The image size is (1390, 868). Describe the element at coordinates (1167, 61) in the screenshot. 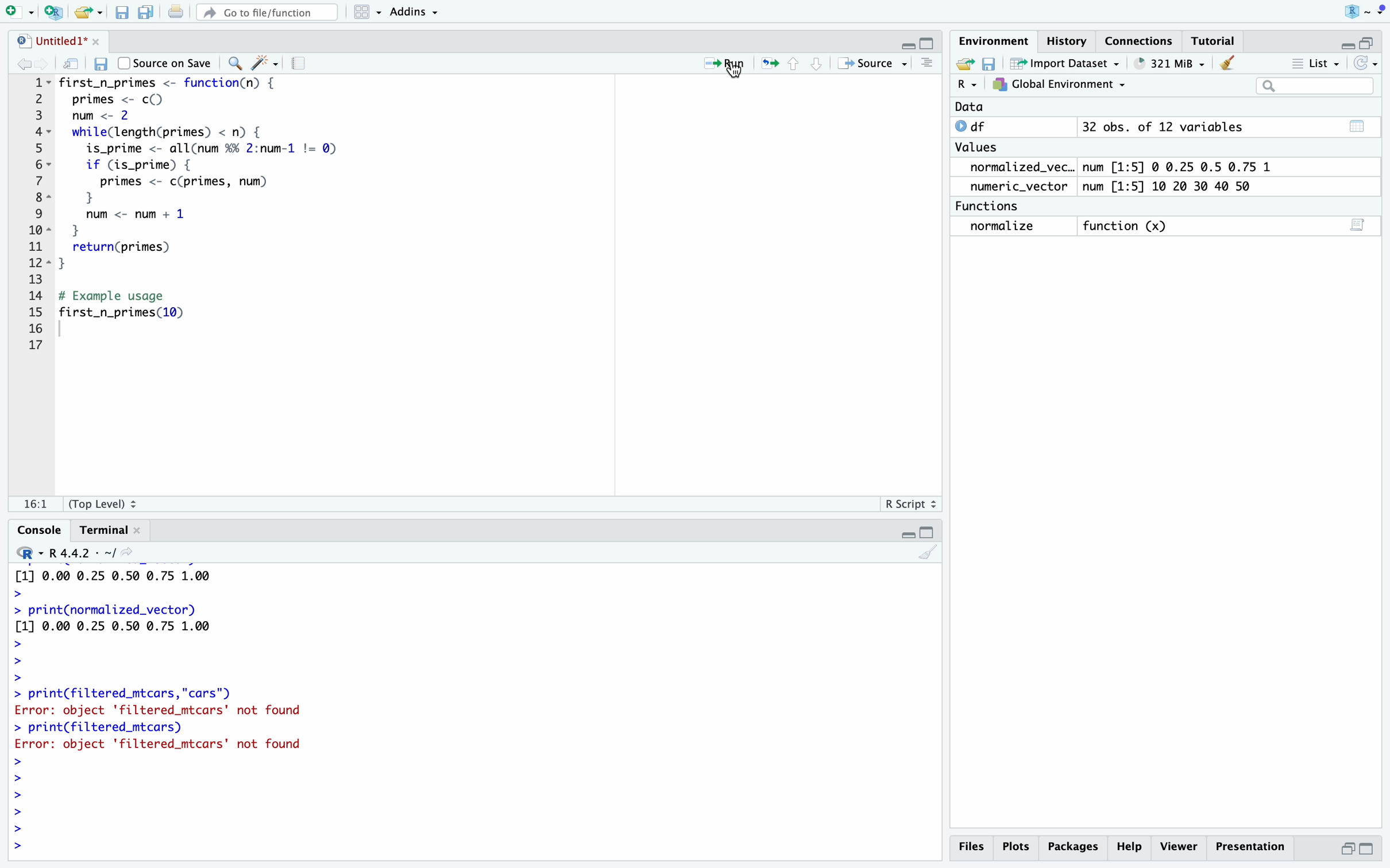

I see `® 651 MiB ` at that location.